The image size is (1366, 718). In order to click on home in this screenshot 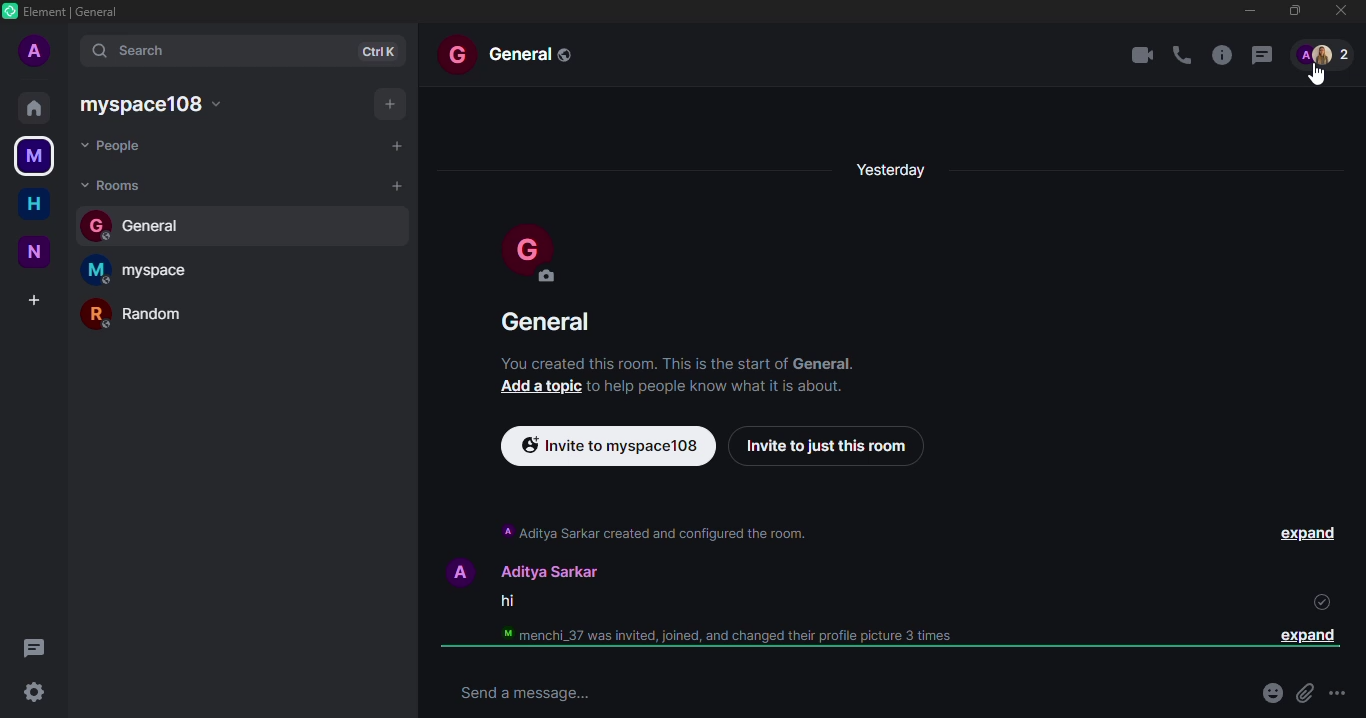, I will do `click(36, 202)`.